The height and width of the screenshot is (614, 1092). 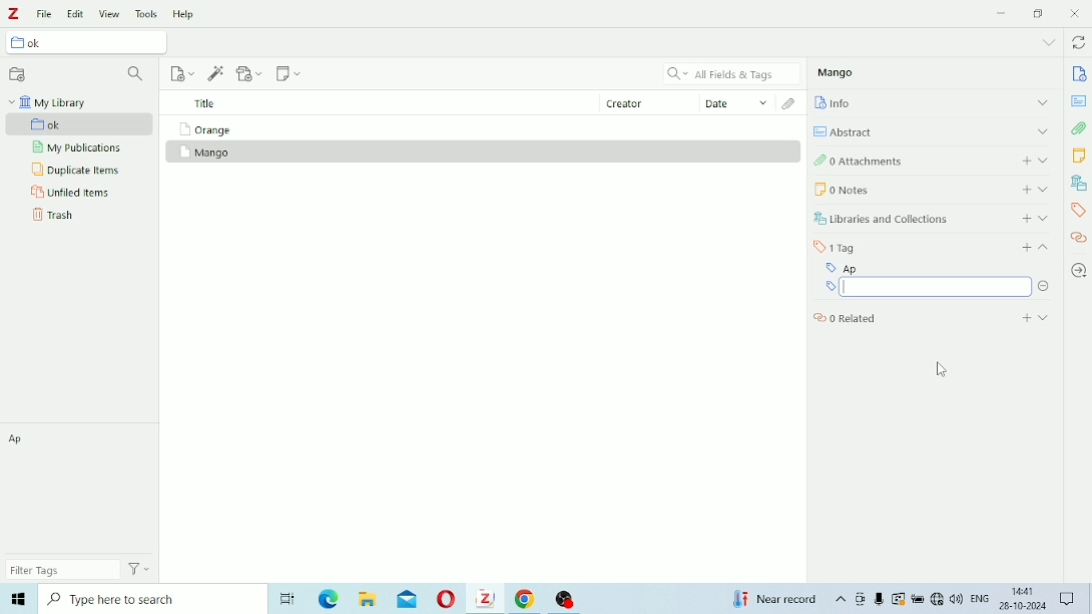 I want to click on Notifications, so click(x=1069, y=598).